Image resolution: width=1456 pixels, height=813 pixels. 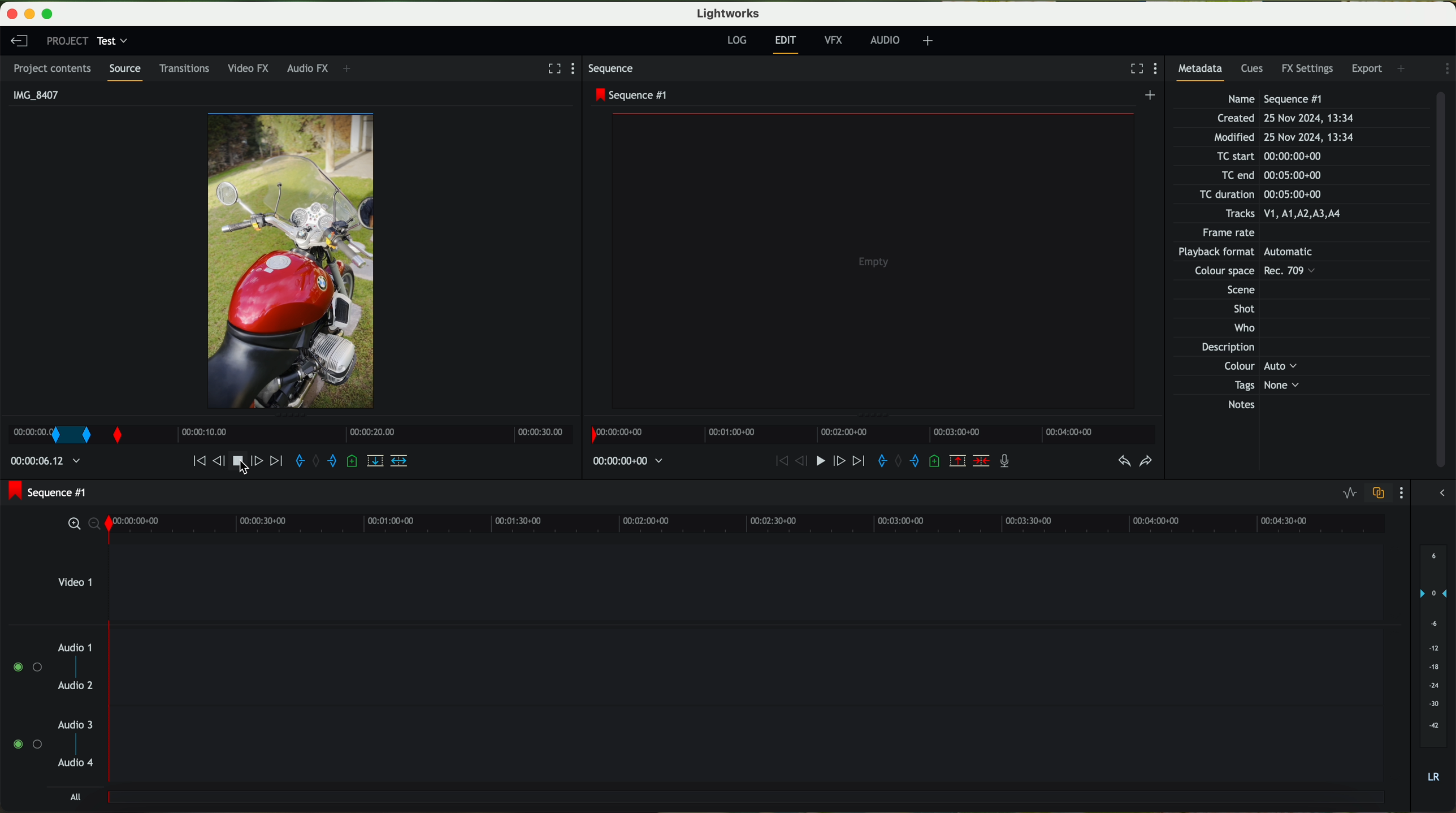 I want to click on close program, so click(x=10, y=14).